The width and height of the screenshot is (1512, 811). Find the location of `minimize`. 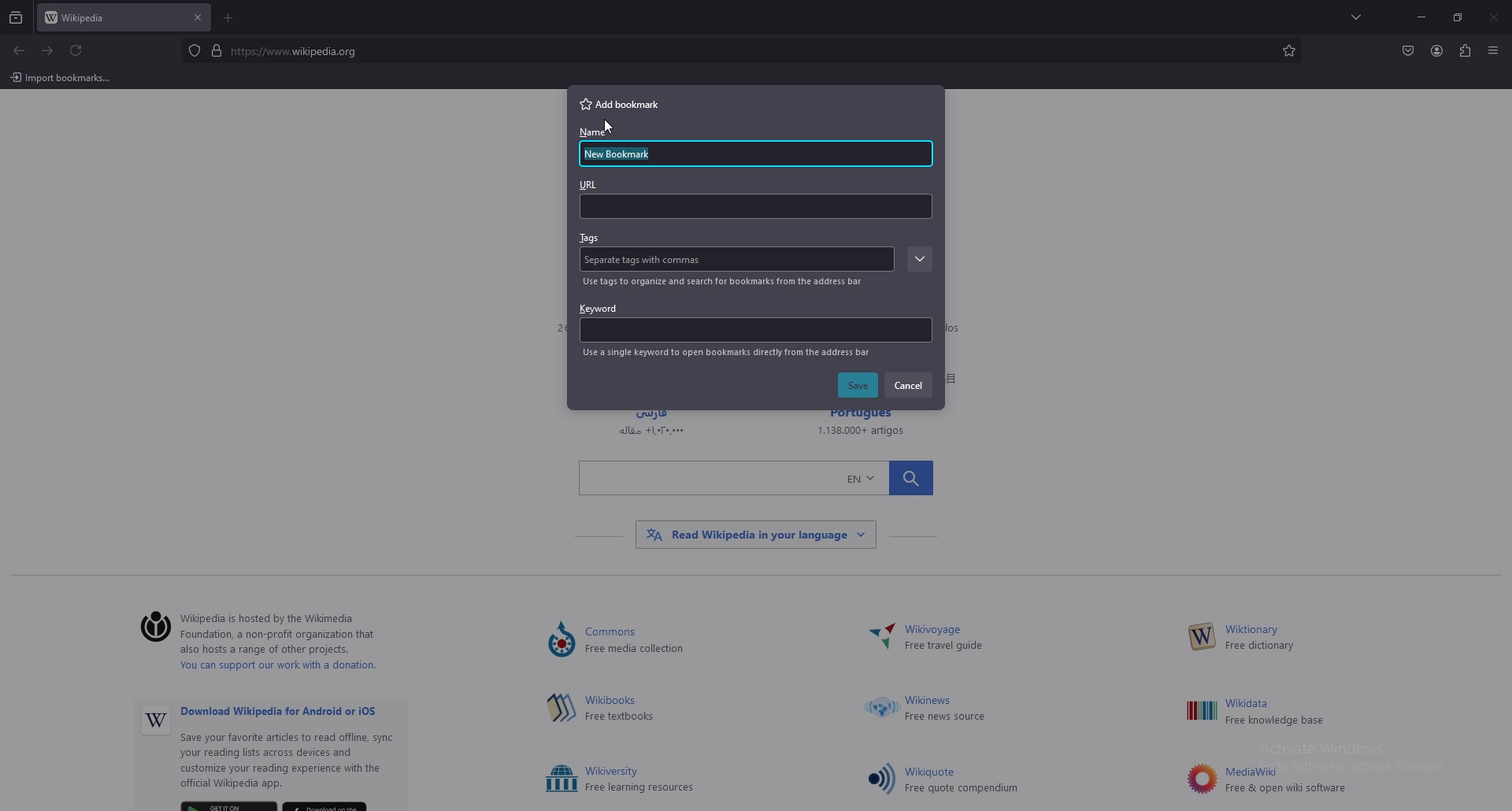

minimize is located at coordinates (1421, 17).